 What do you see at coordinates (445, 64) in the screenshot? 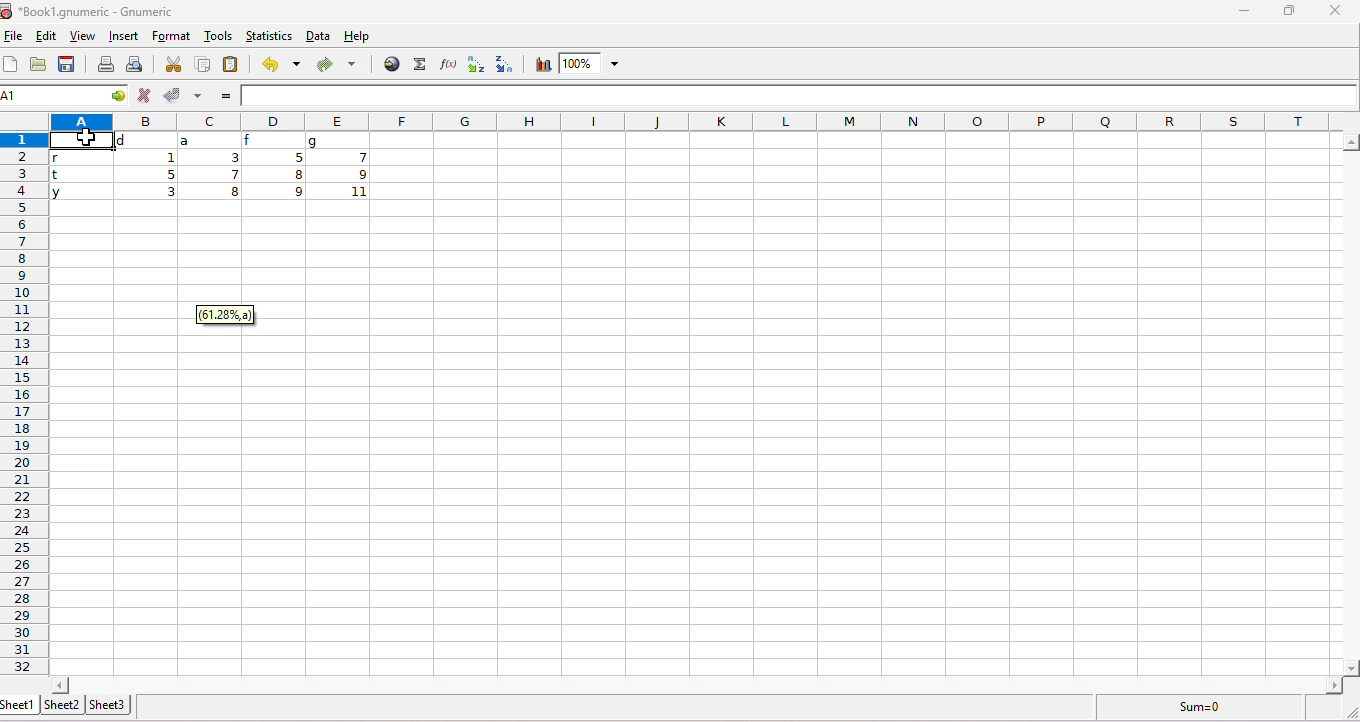
I see `function wizard` at bounding box center [445, 64].